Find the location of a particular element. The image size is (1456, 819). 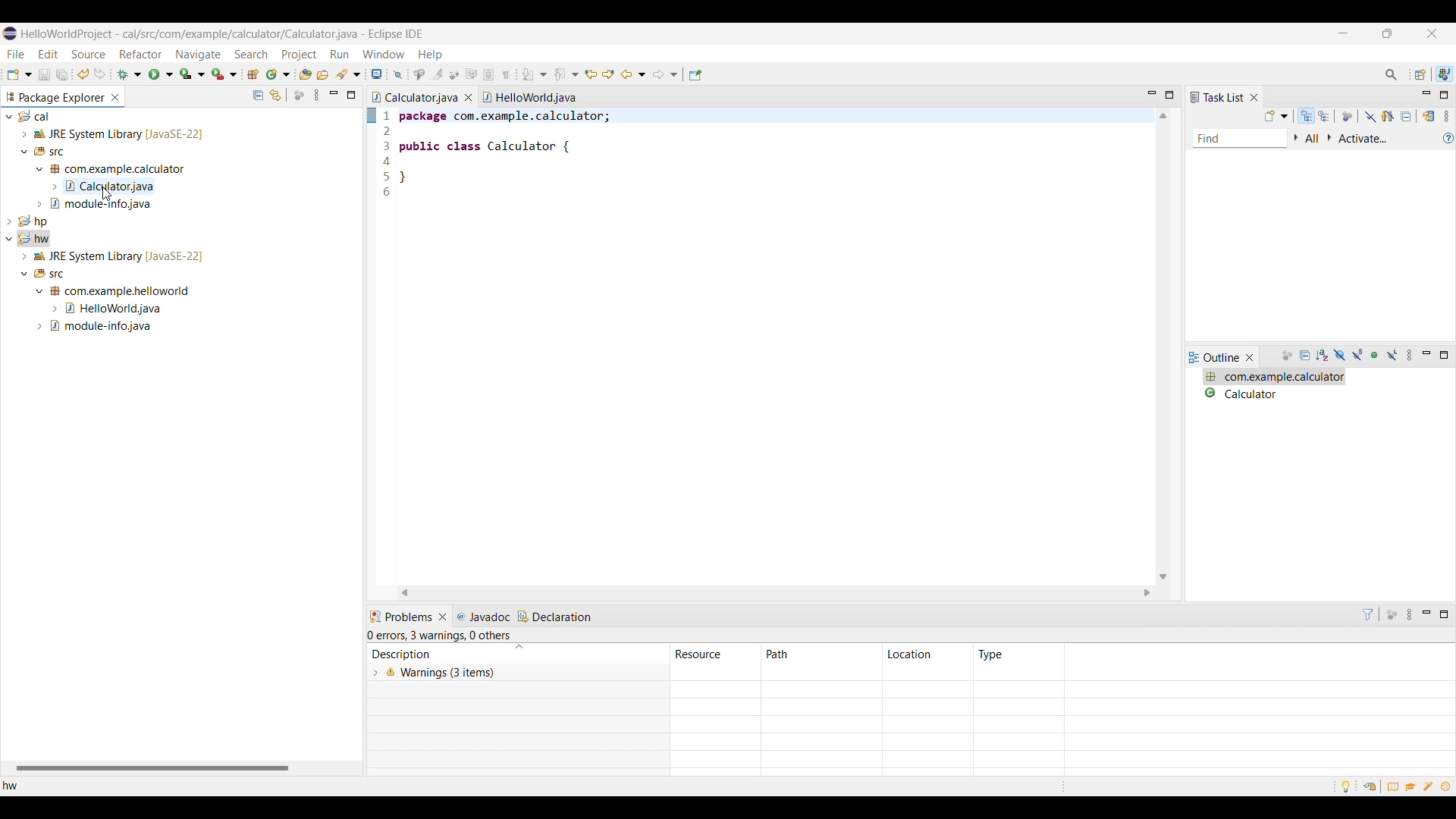

Open task is located at coordinates (323, 74).